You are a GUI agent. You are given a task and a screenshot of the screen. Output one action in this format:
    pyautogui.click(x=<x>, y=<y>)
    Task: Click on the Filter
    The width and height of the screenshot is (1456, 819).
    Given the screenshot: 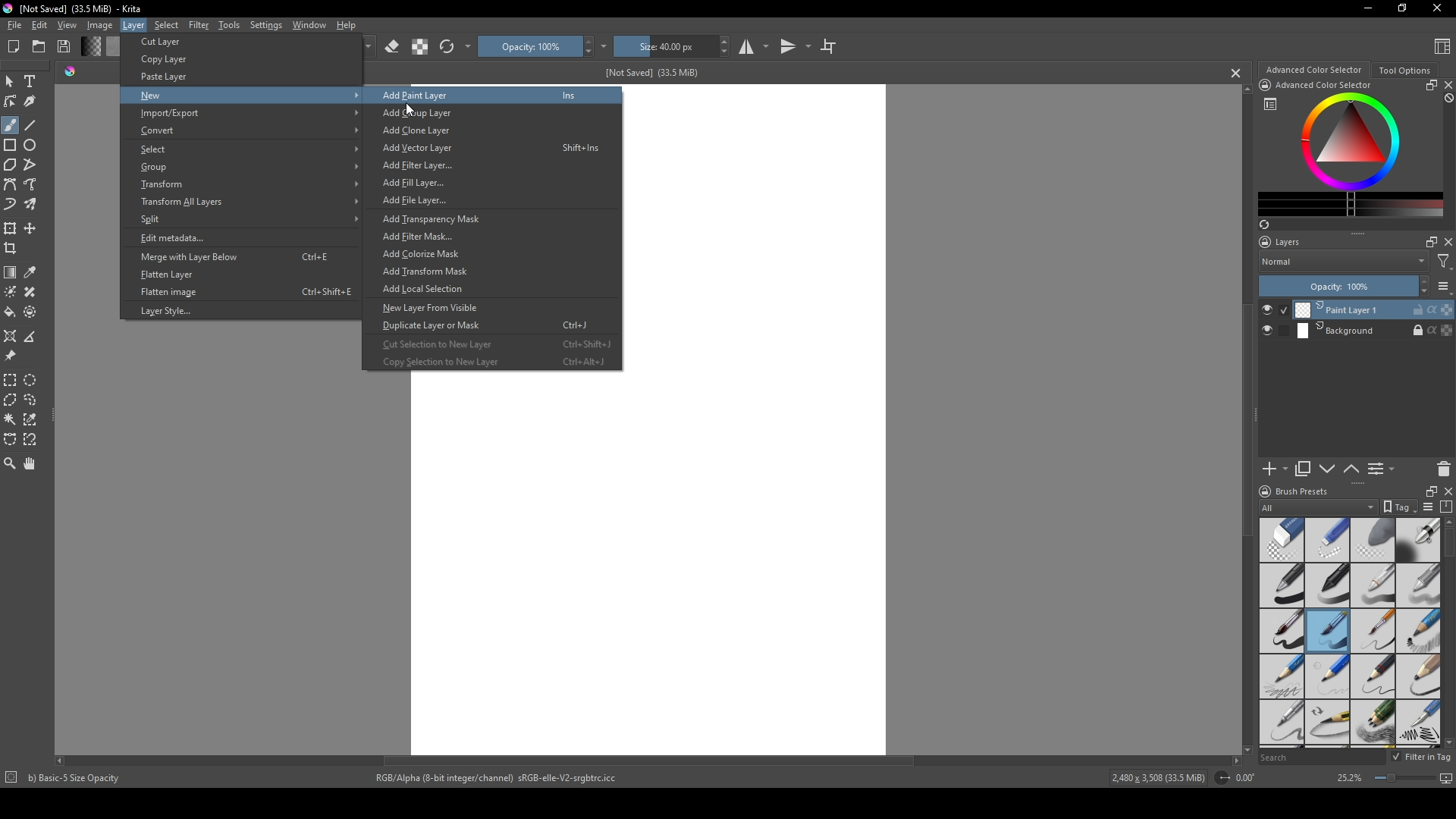 What is the action you would take?
    pyautogui.click(x=198, y=25)
    